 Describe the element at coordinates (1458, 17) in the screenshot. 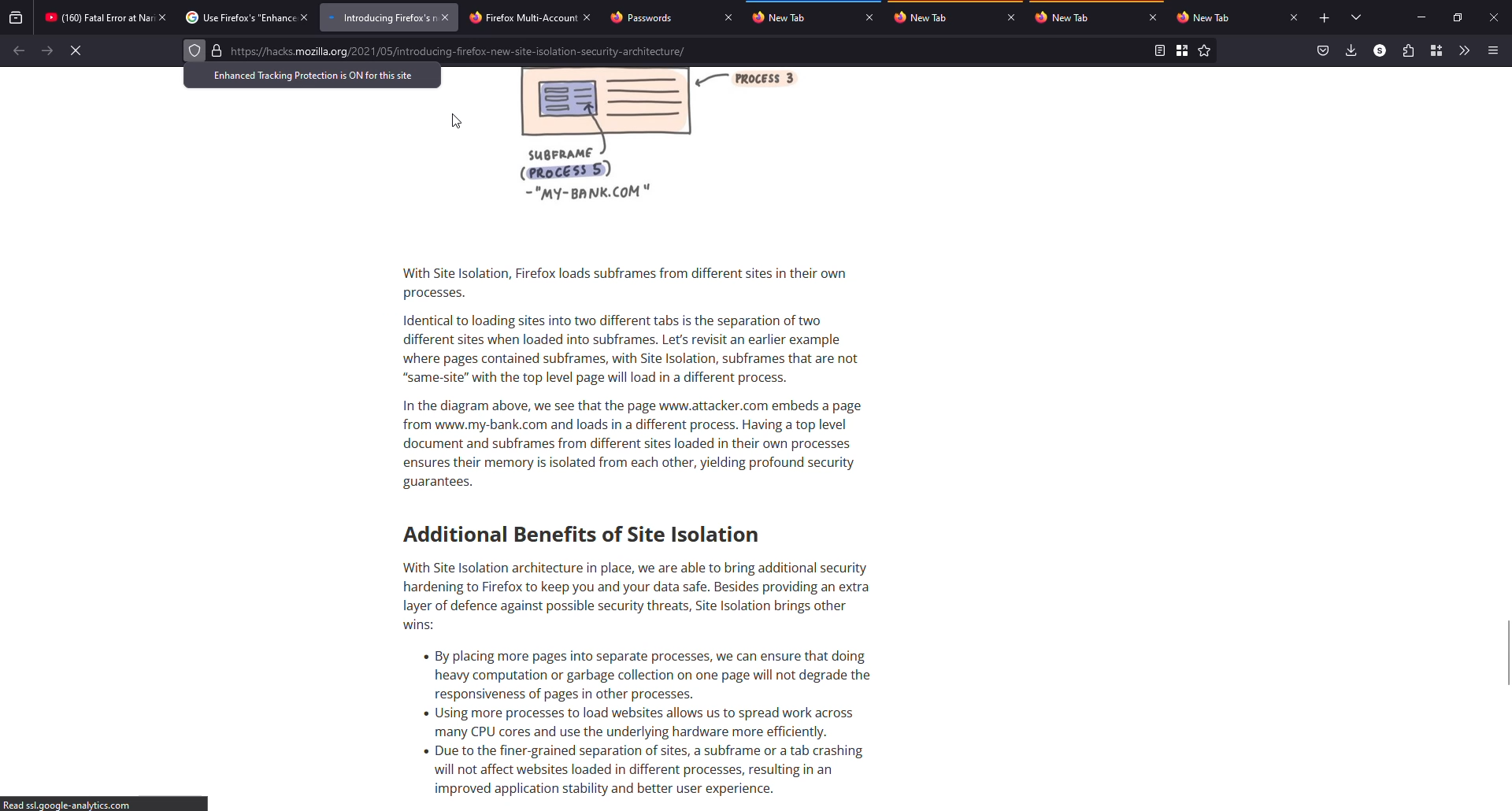

I see `maximize` at that location.